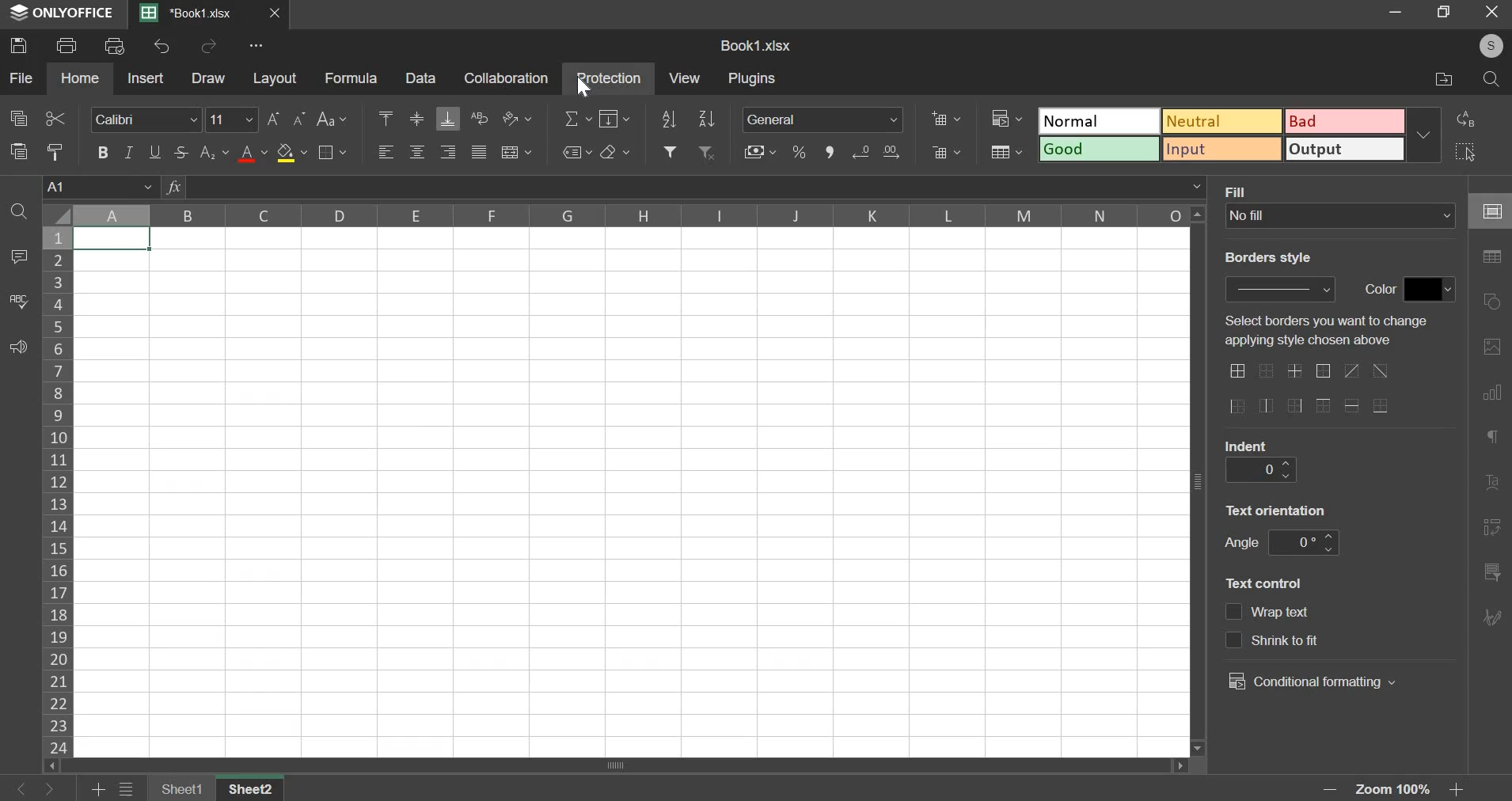 The width and height of the screenshot is (1512, 801). Describe the element at coordinates (448, 154) in the screenshot. I see `horizontal alignment` at that location.